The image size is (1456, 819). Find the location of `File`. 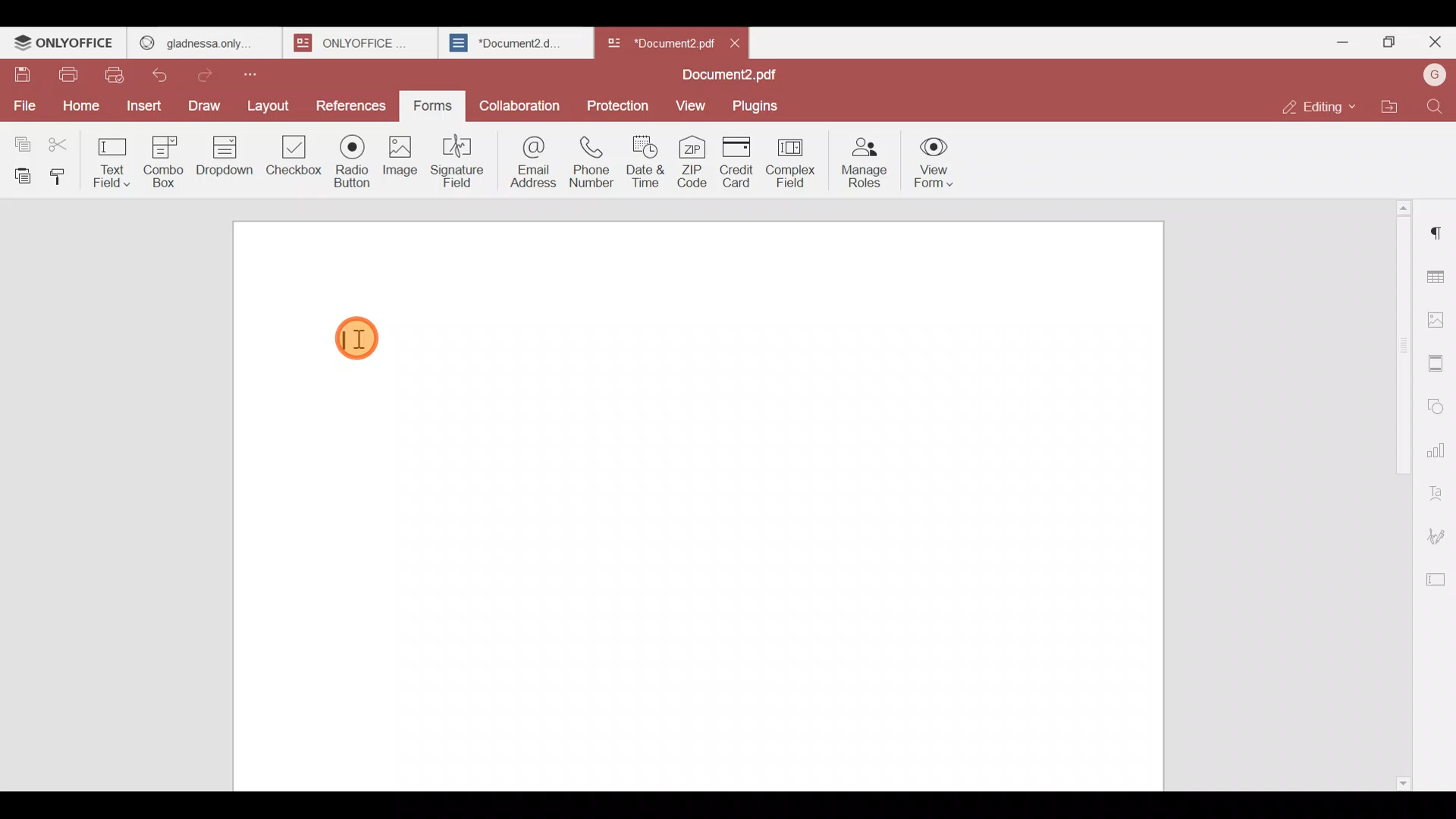

File is located at coordinates (24, 105).